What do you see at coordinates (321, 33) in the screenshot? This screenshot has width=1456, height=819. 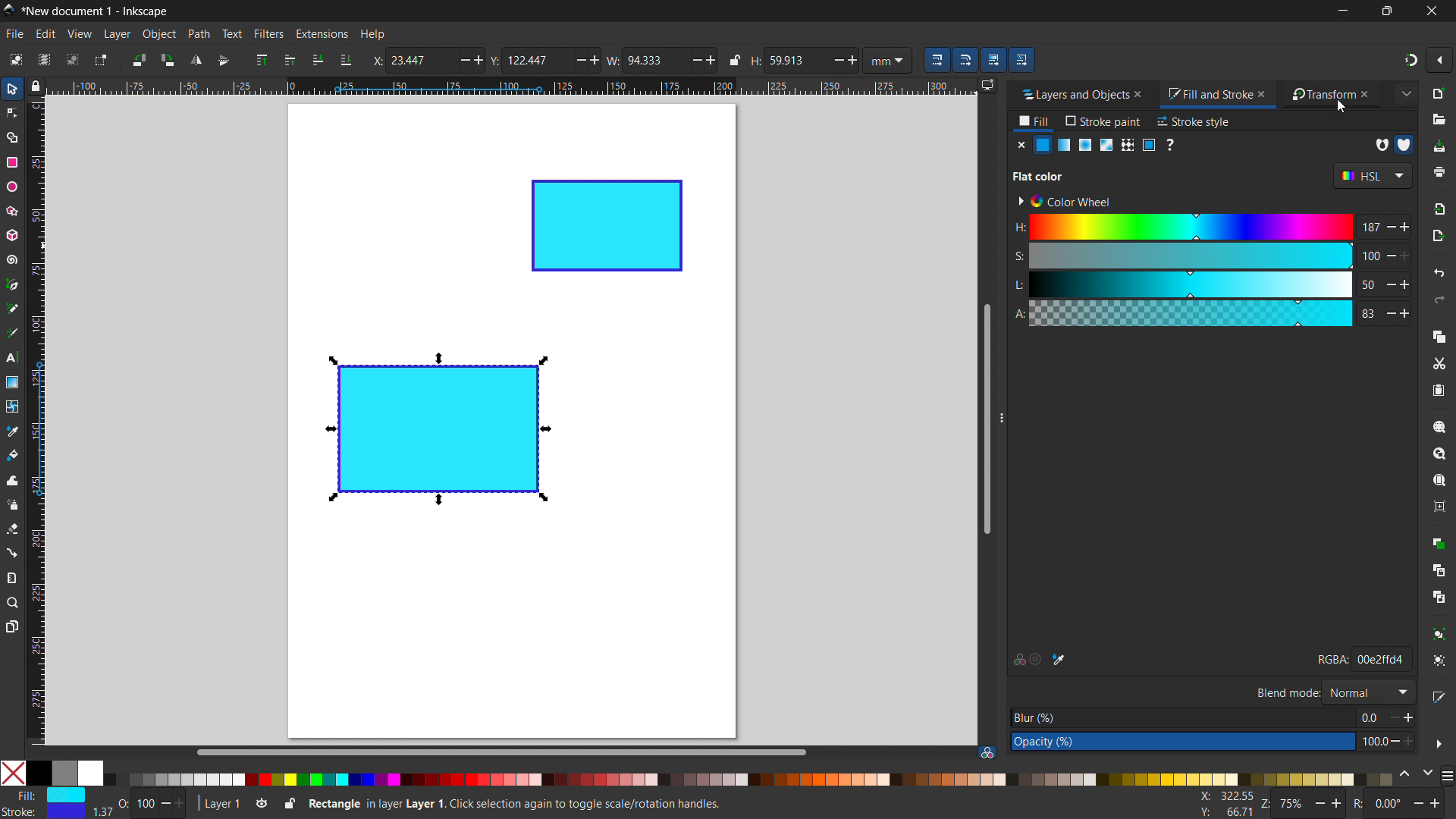 I see `extensions` at bounding box center [321, 33].